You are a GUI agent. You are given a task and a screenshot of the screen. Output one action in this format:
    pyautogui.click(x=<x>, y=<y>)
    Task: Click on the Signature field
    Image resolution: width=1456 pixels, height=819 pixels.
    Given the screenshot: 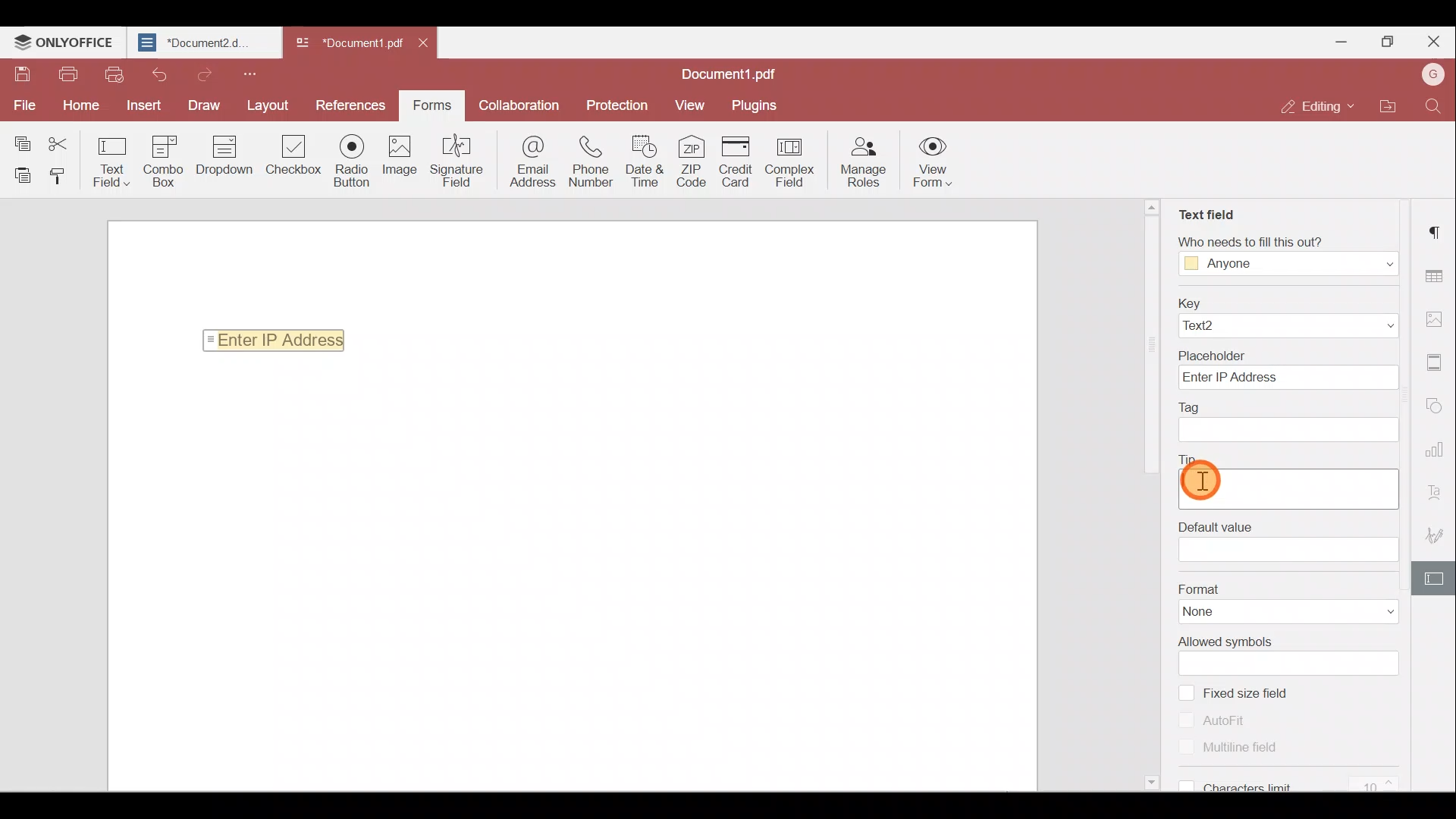 What is the action you would take?
    pyautogui.click(x=460, y=162)
    